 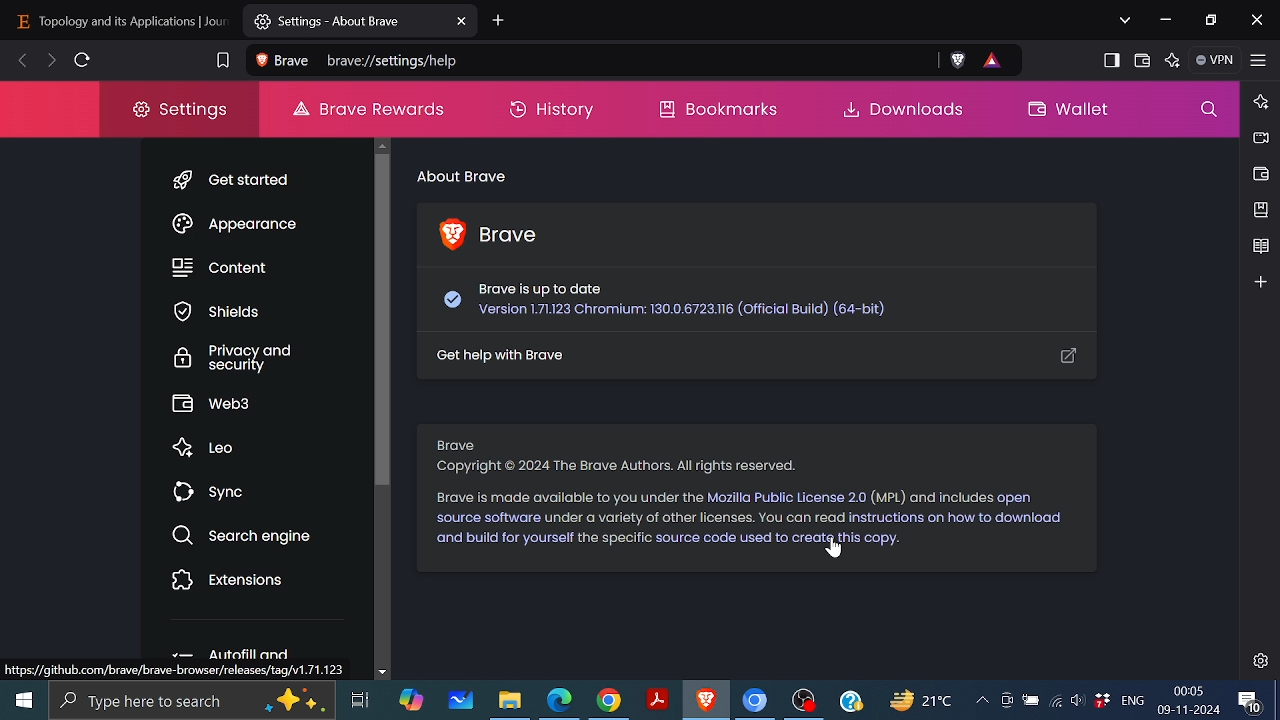 What do you see at coordinates (804, 702) in the screenshot?
I see `OBS Studio` at bounding box center [804, 702].